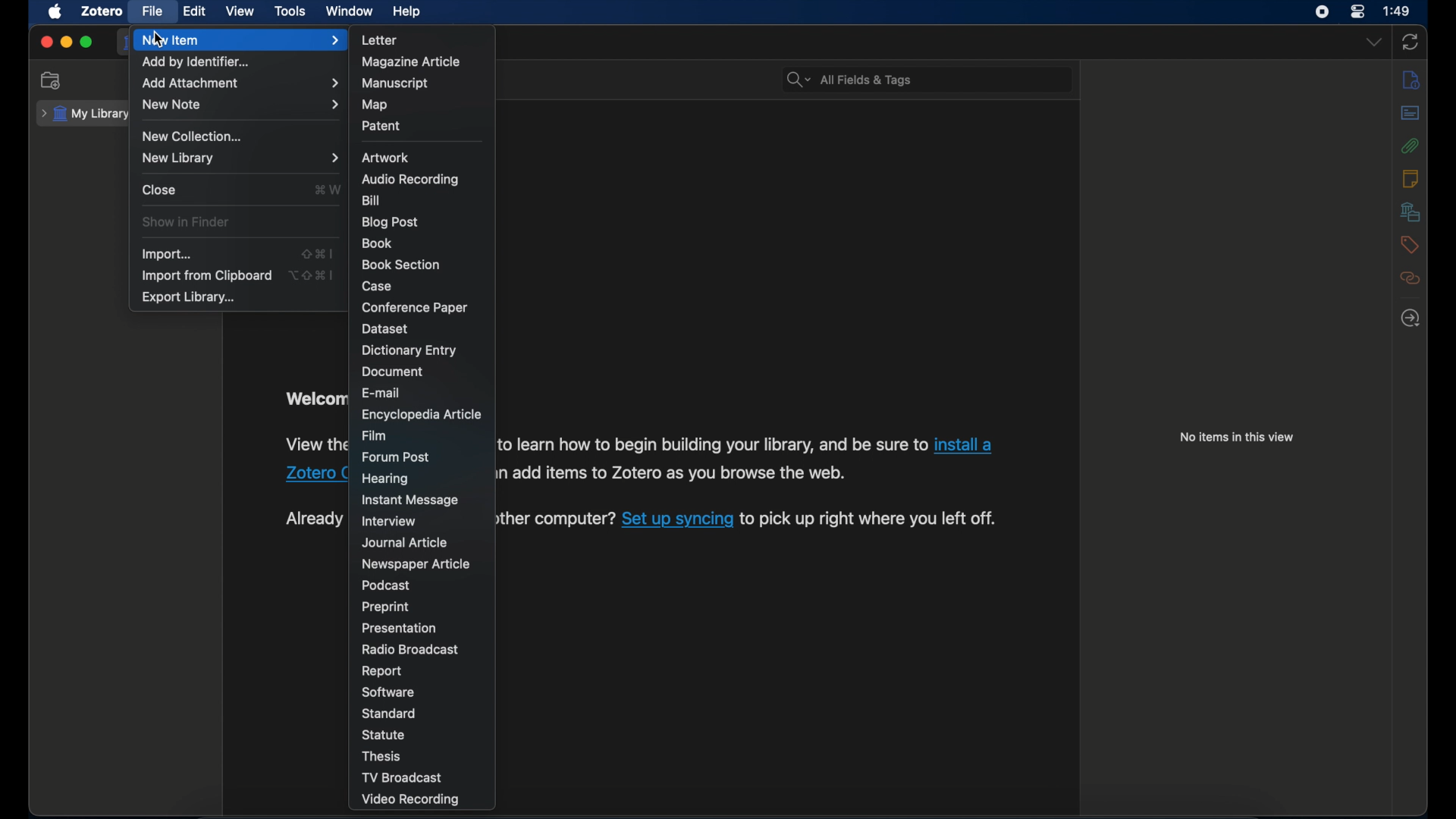  Describe the element at coordinates (1321, 12) in the screenshot. I see `screen recorder` at that location.